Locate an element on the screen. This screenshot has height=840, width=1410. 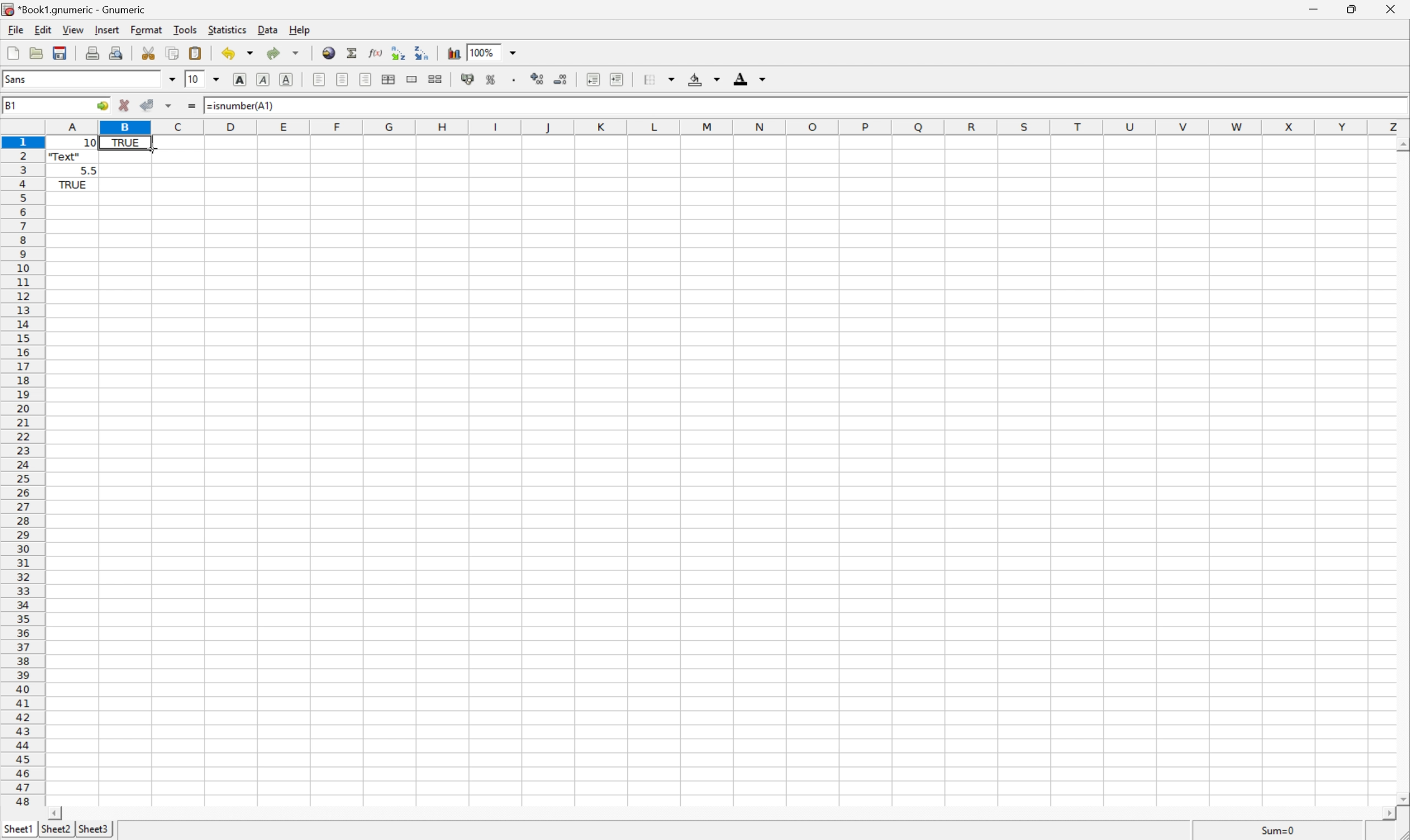
Column names is located at coordinates (727, 127).